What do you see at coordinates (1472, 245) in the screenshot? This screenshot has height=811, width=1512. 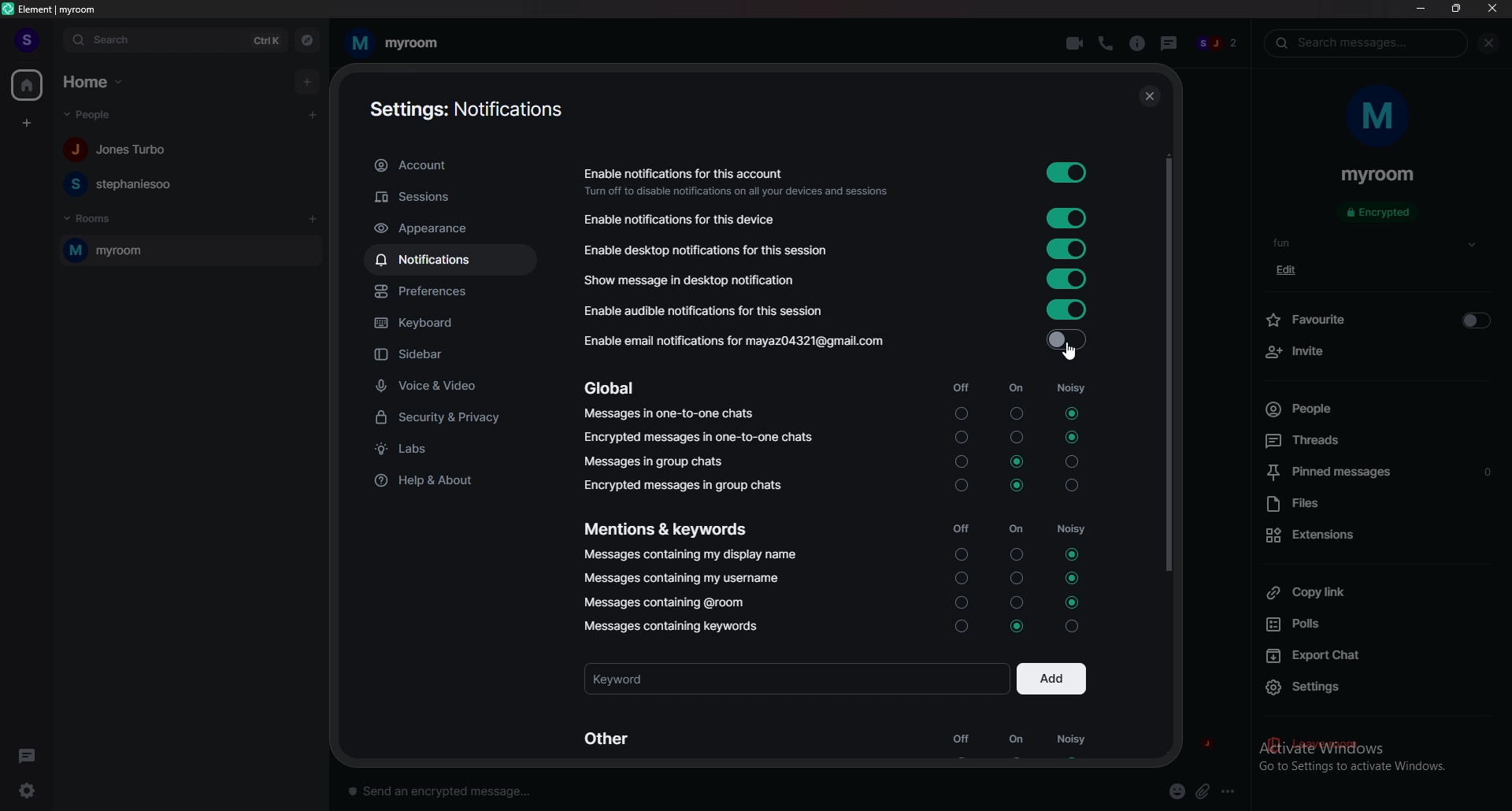 I see `show` at bounding box center [1472, 245].